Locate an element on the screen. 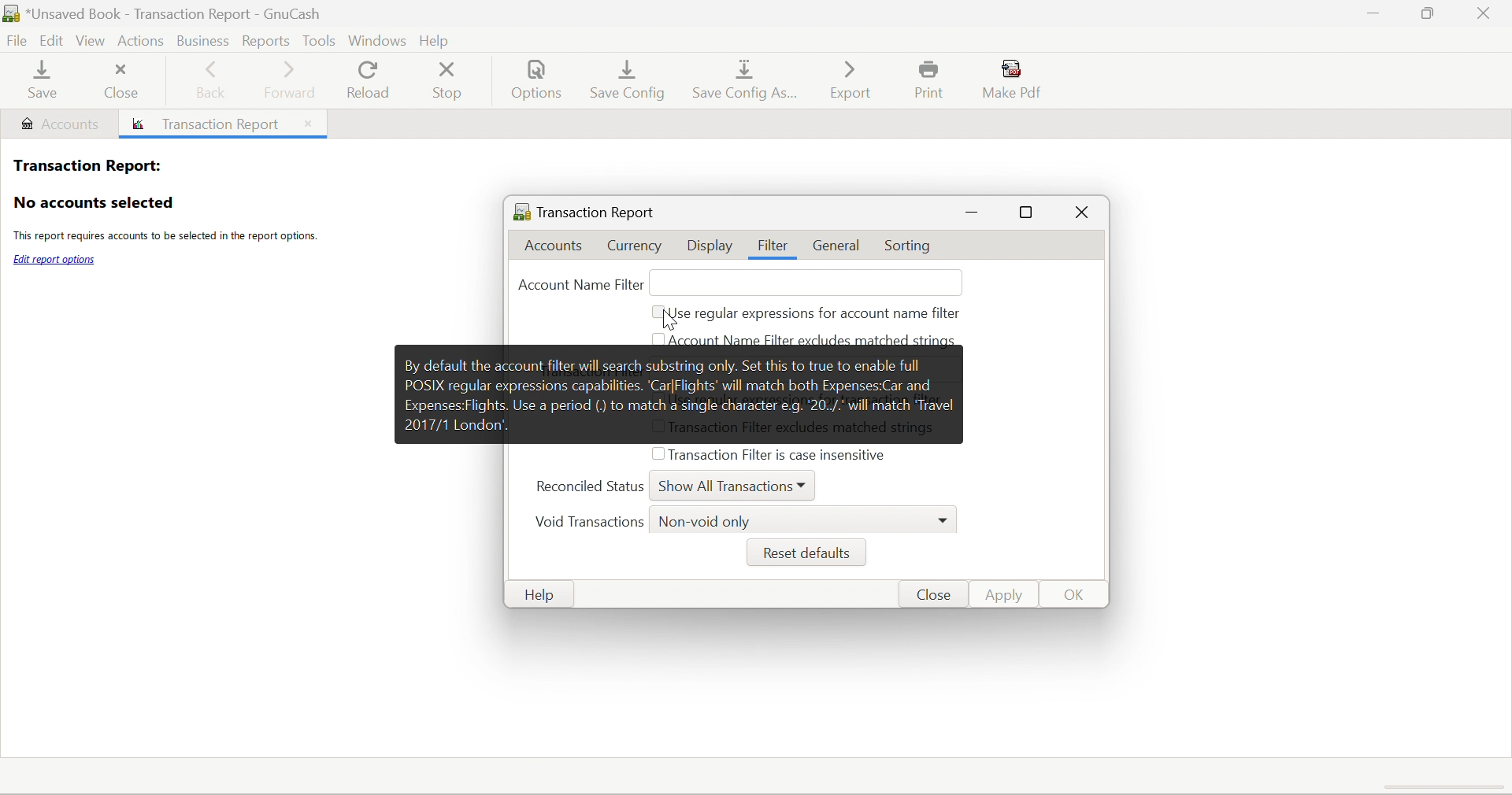  Business is located at coordinates (201, 39).